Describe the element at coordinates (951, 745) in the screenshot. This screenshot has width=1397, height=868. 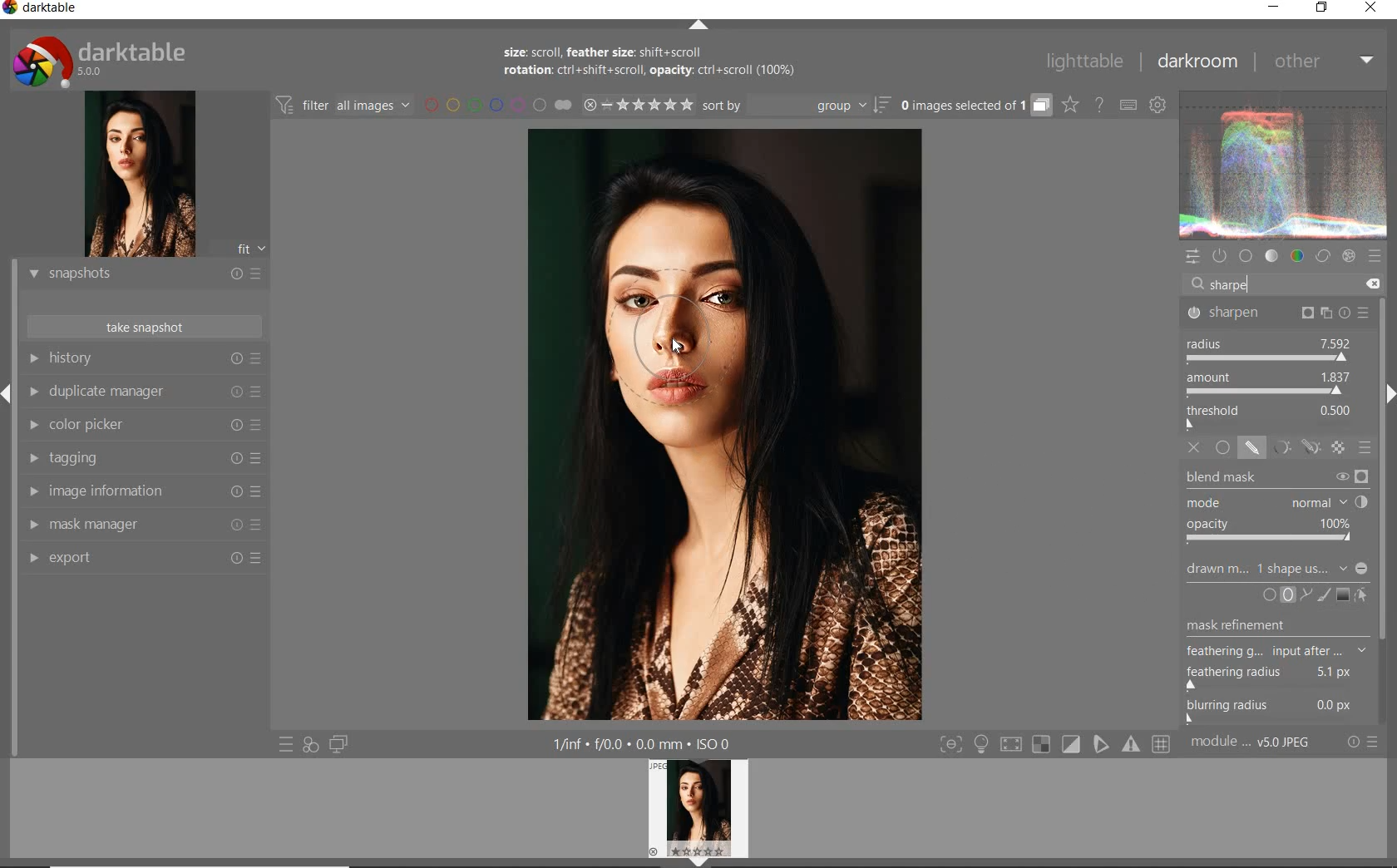
I see `toggle modes` at that location.